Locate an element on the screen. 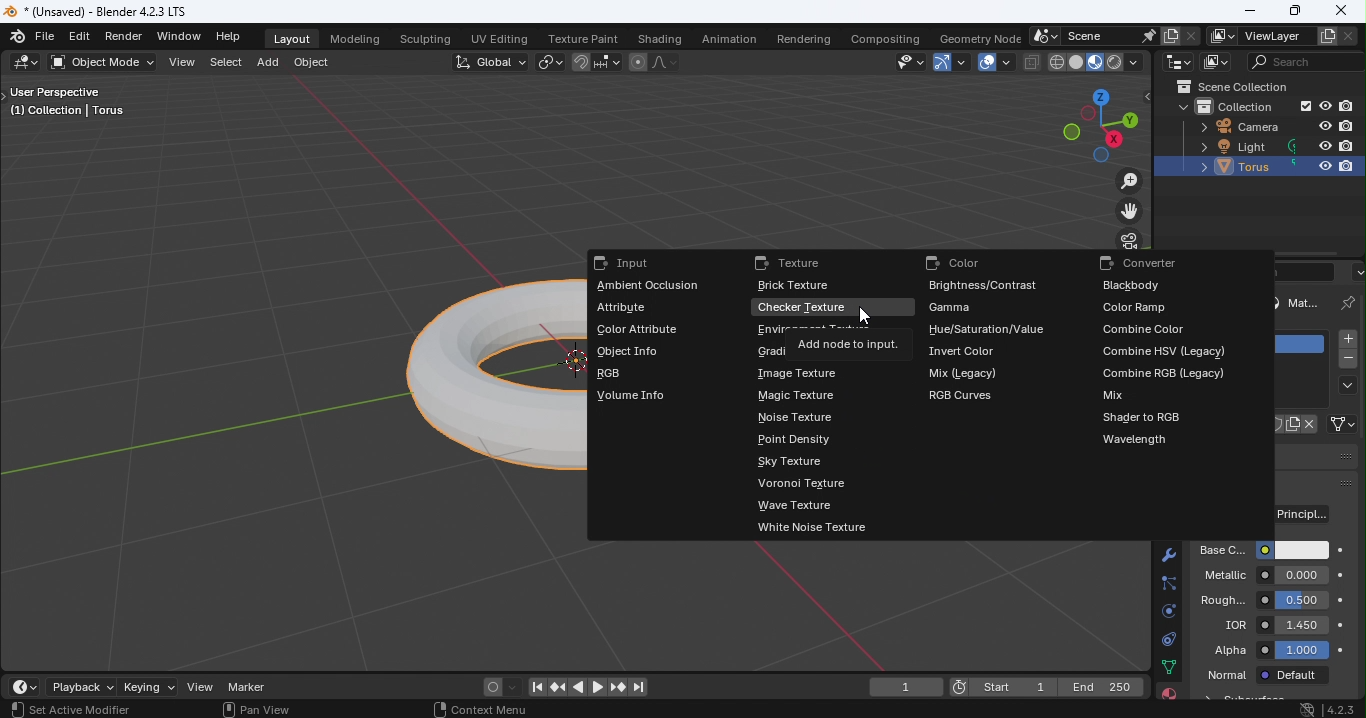  Marker is located at coordinates (247, 688).